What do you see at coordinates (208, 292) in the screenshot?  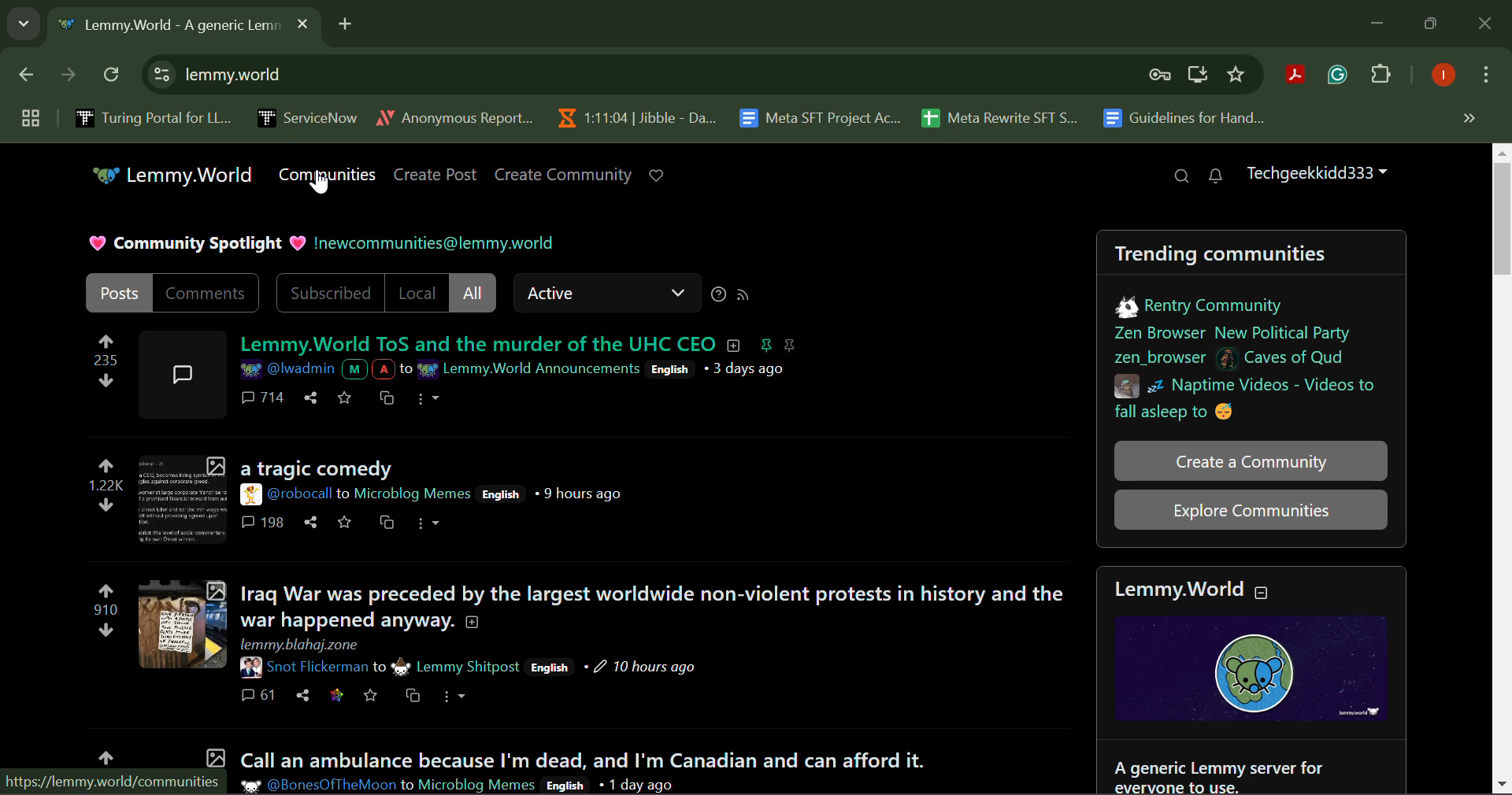 I see `Comments Filter Unselected` at bounding box center [208, 292].